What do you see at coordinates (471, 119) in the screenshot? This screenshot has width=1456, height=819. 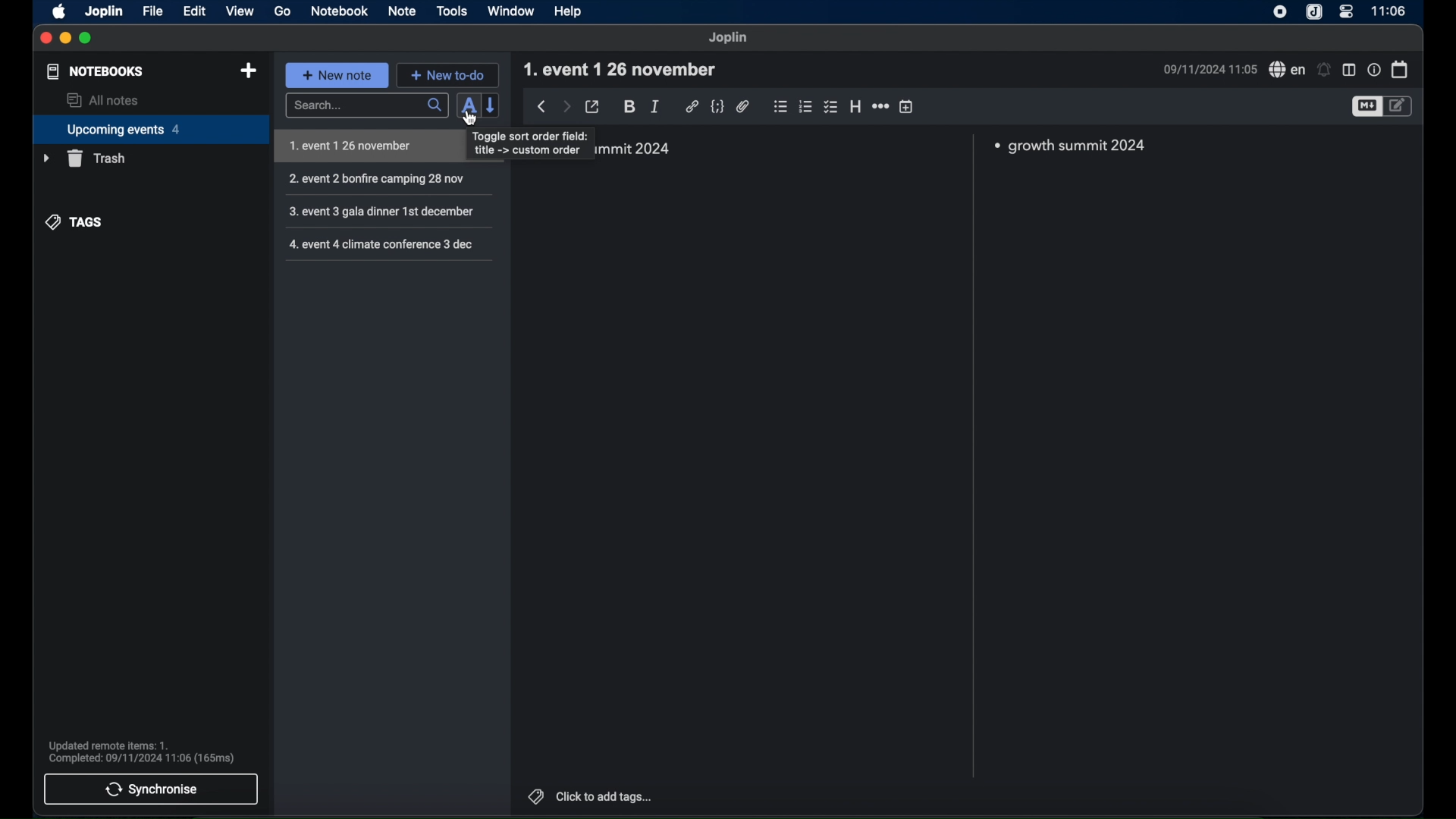 I see `cursor` at bounding box center [471, 119].